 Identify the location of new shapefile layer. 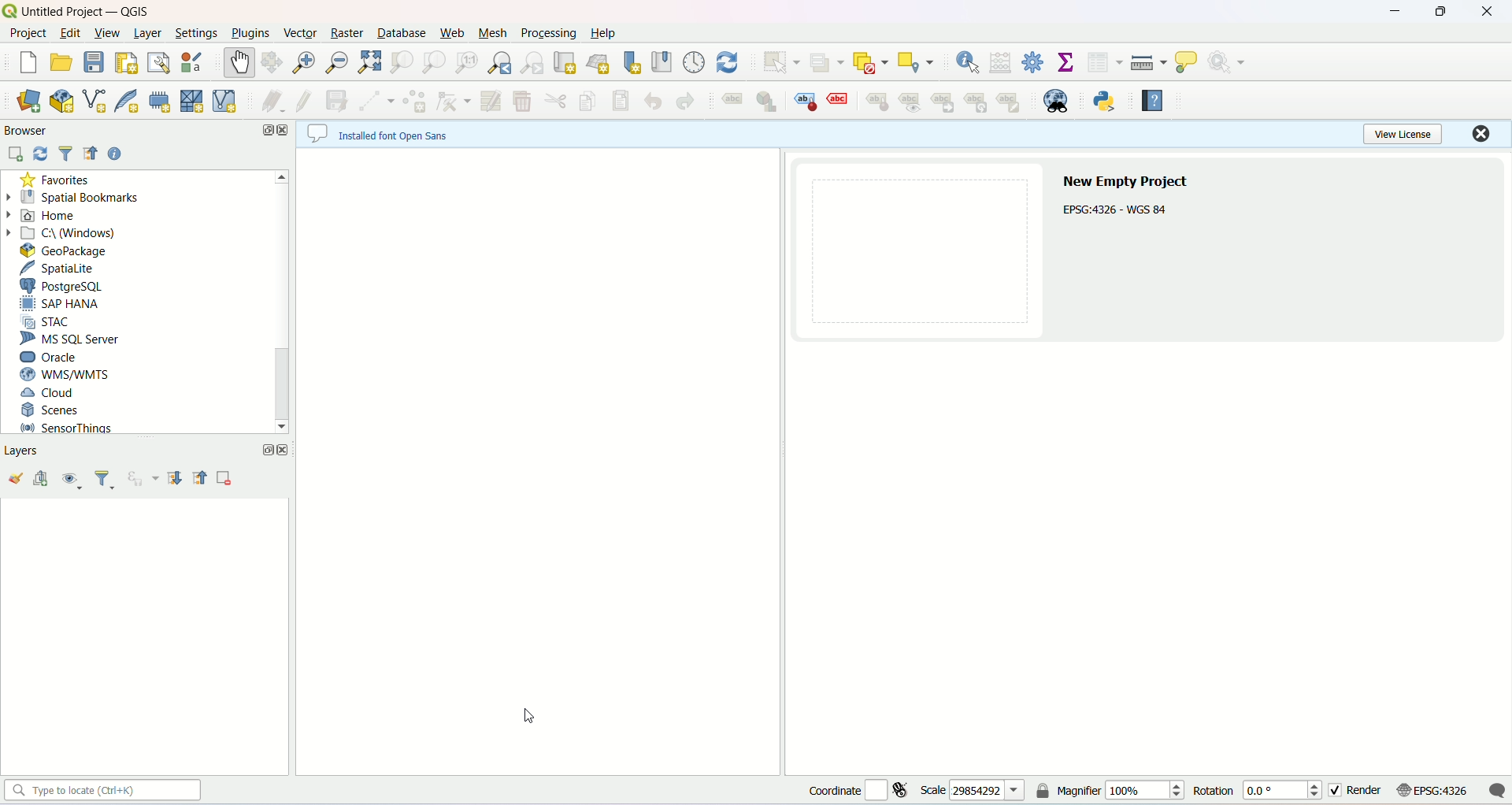
(94, 99).